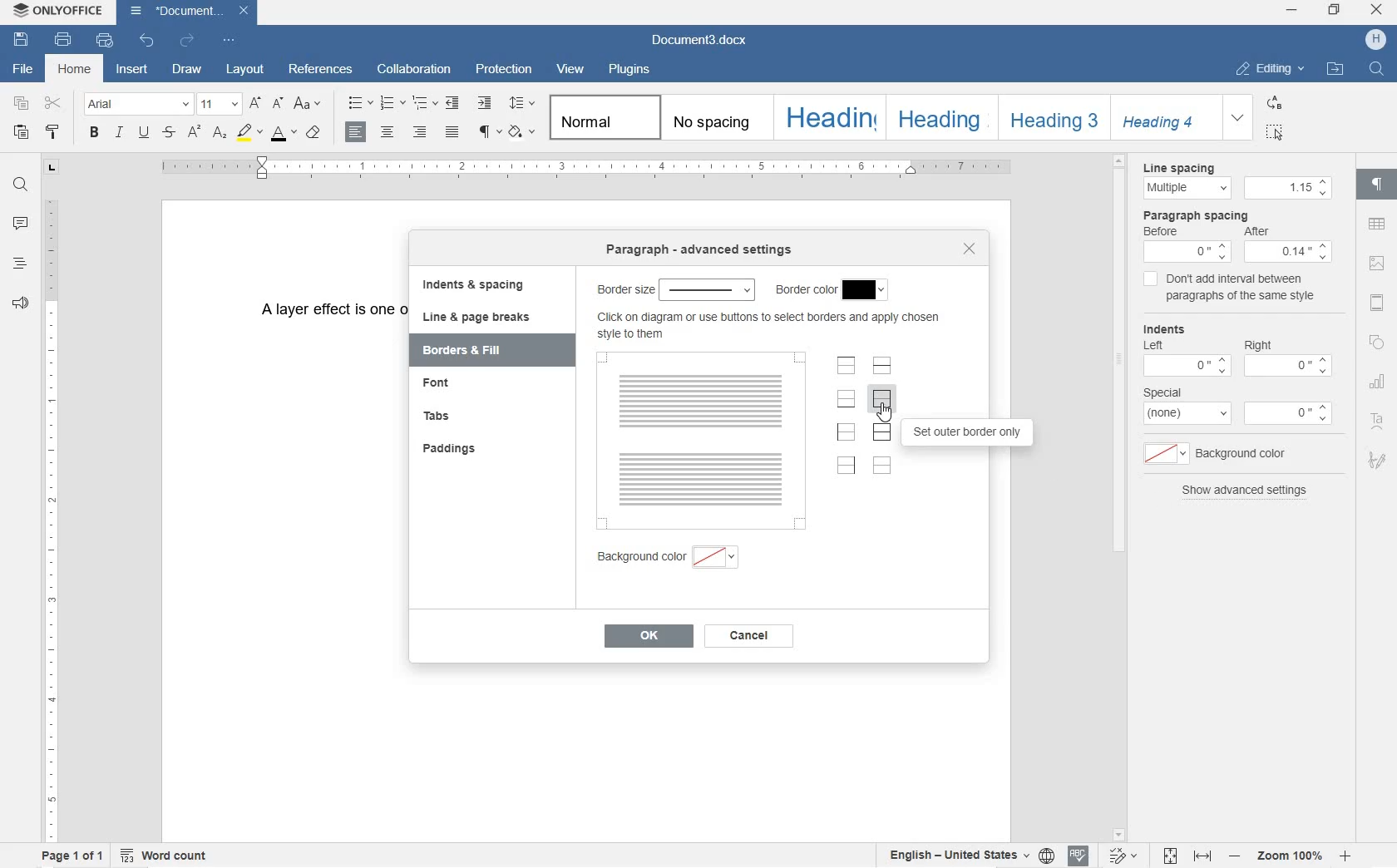 The image size is (1397, 868). Describe the element at coordinates (309, 104) in the screenshot. I see `CHANGE CASE` at that location.